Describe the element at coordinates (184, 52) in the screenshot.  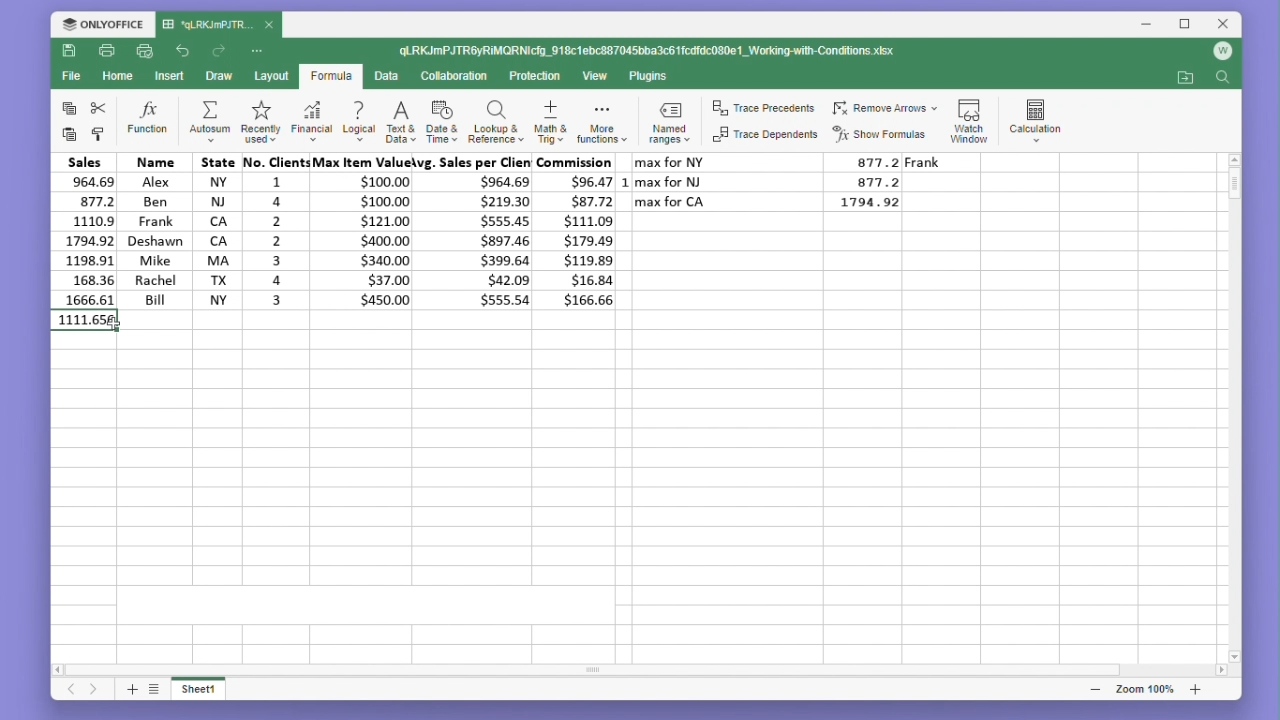
I see `undo` at that location.